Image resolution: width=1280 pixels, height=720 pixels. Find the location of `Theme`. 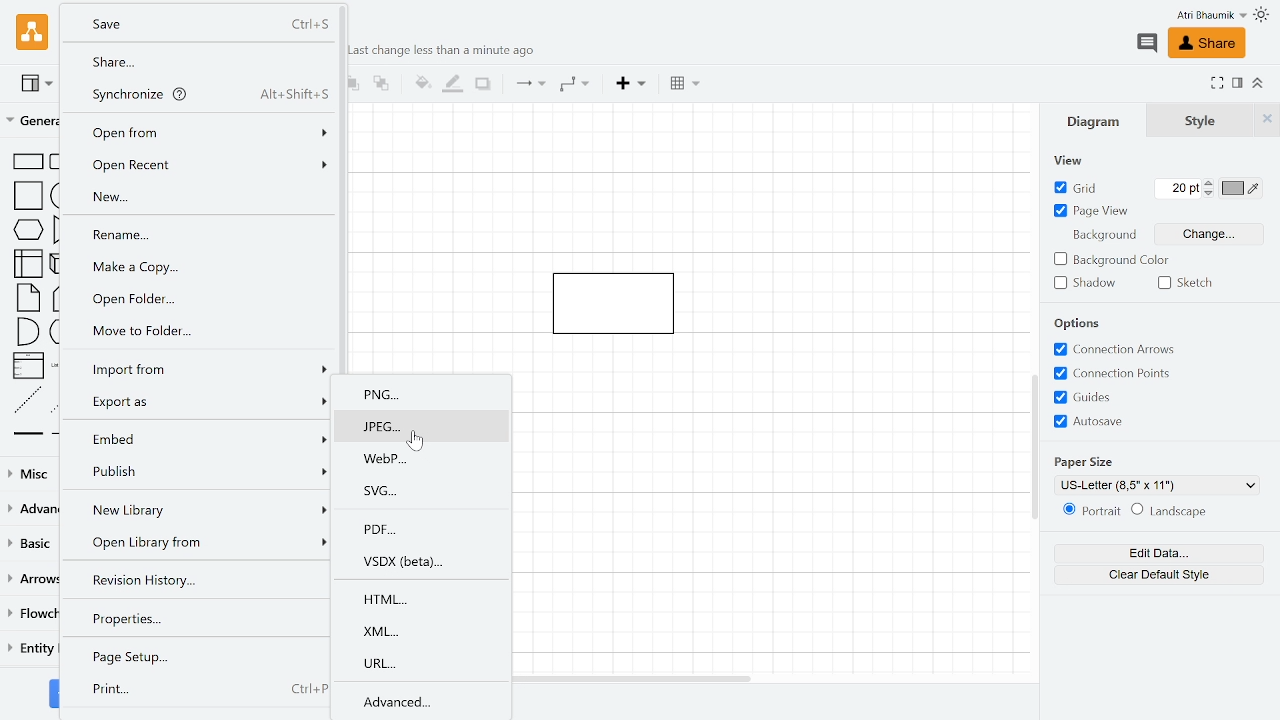

Theme is located at coordinates (1262, 14).